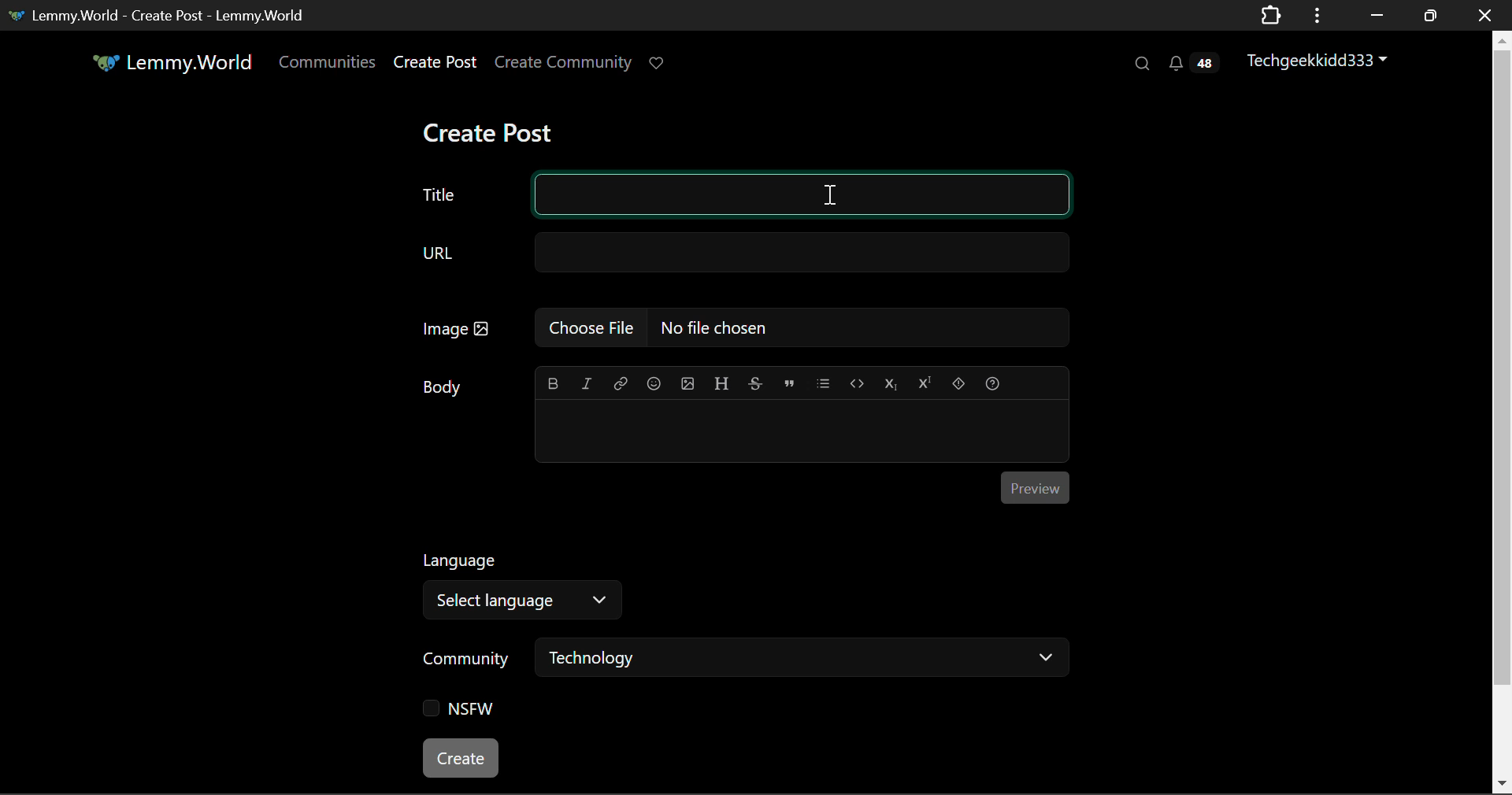 The height and width of the screenshot is (795, 1512). What do you see at coordinates (554, 380) in the screenshot?
I see `bold` at bounding box center [554, 380].